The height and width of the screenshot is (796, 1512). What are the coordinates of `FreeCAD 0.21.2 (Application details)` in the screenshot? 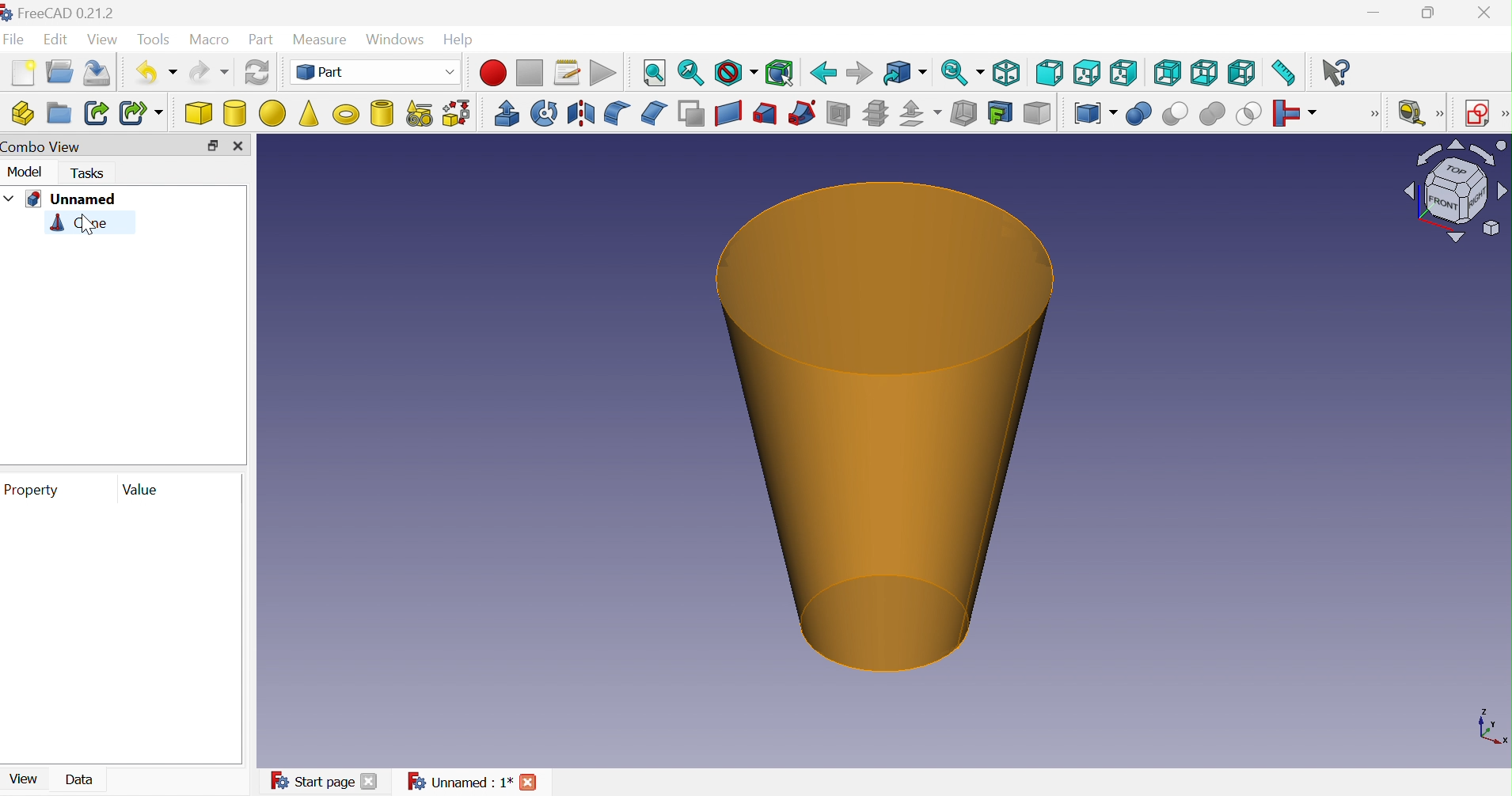 It's located at (59, 13).